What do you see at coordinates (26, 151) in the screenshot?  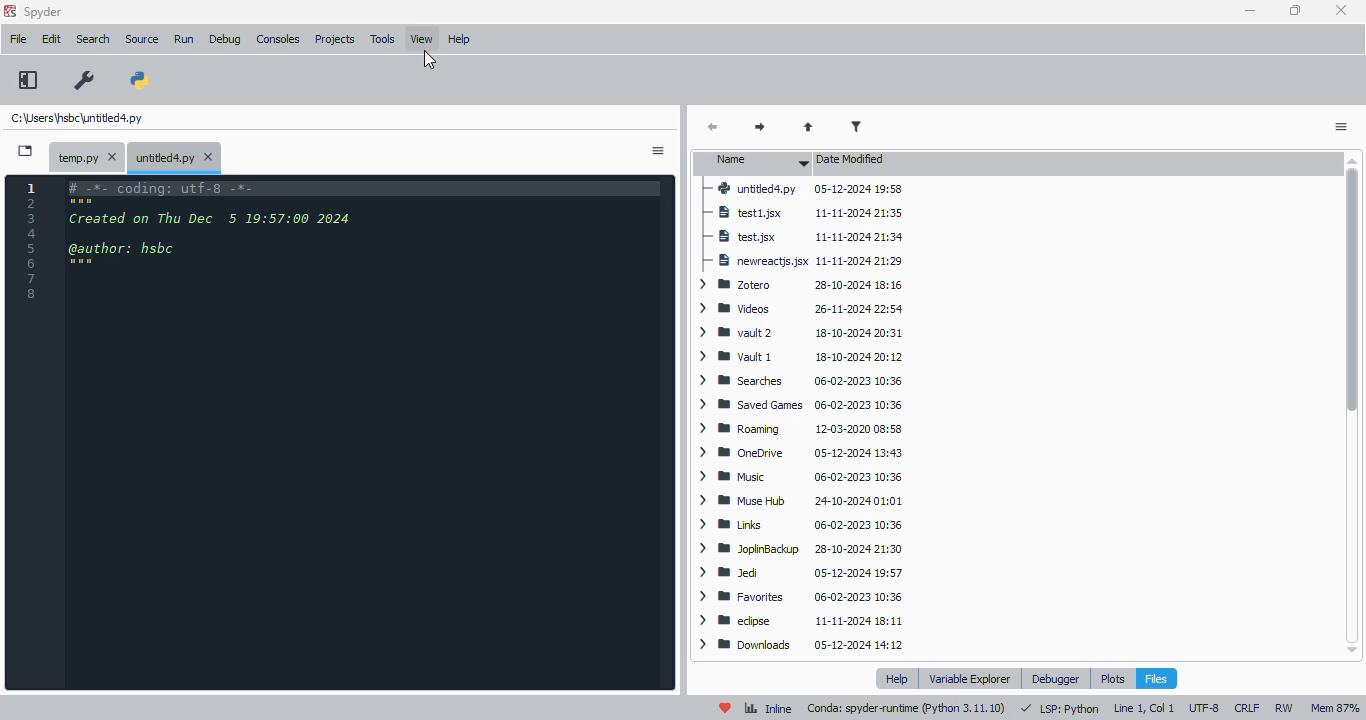 I see `browse tabs` at bounding box center [26, 151].